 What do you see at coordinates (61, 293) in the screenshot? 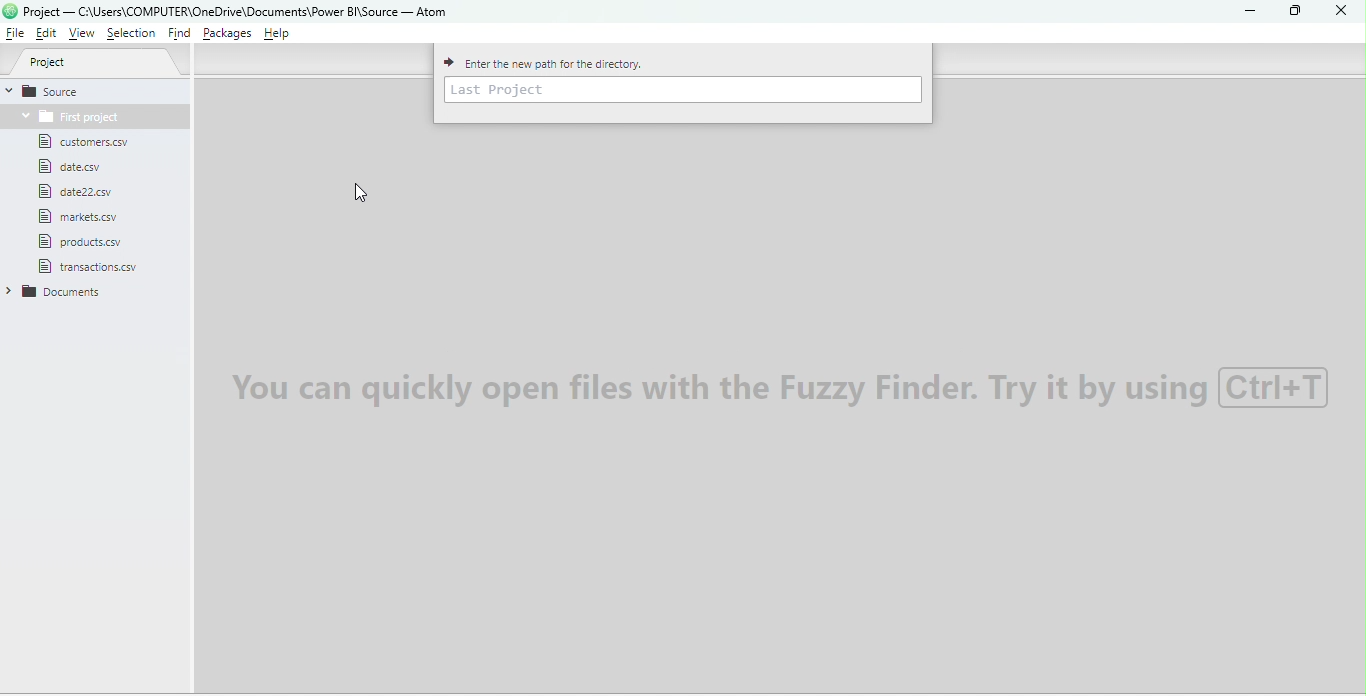
I see `Folder` at bounding box center [61, 293].